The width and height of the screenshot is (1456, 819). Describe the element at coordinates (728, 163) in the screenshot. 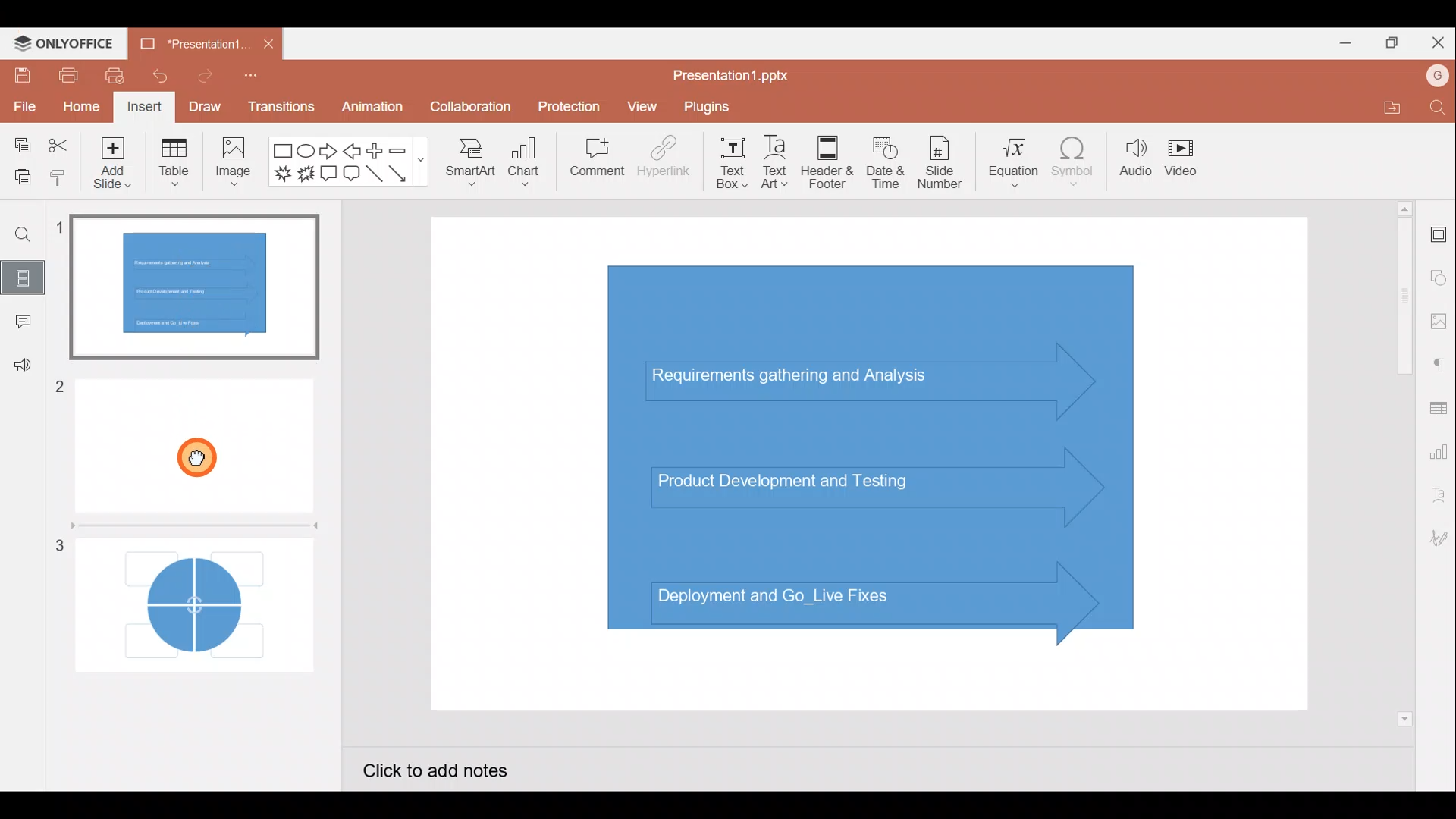

I see `Text box` at that location.